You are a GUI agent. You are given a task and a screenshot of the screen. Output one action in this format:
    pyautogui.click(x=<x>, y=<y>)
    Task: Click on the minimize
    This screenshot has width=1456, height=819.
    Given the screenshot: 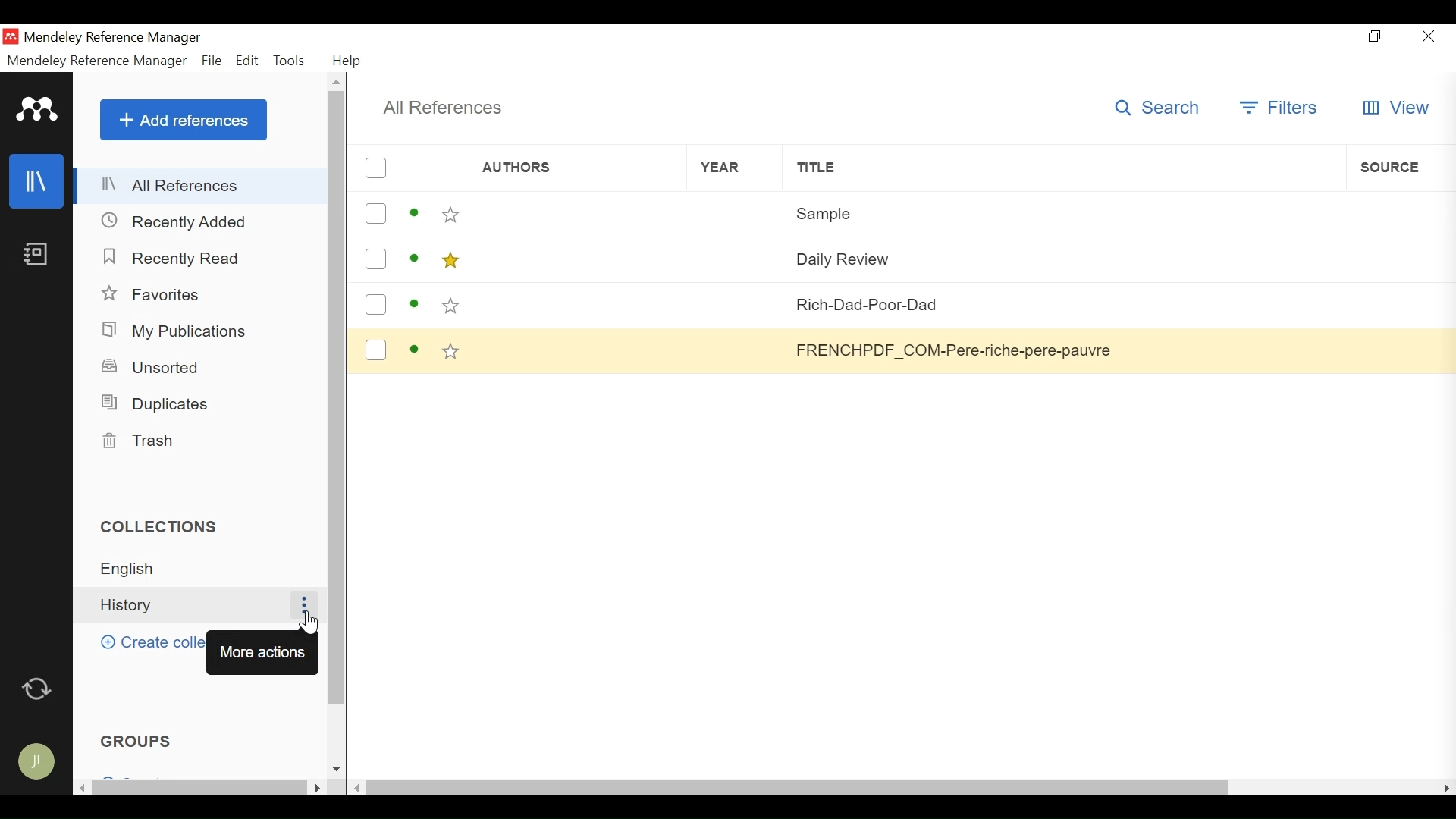 What is the action you would take?
    pyautogui.click(x=1326, y=36)
    